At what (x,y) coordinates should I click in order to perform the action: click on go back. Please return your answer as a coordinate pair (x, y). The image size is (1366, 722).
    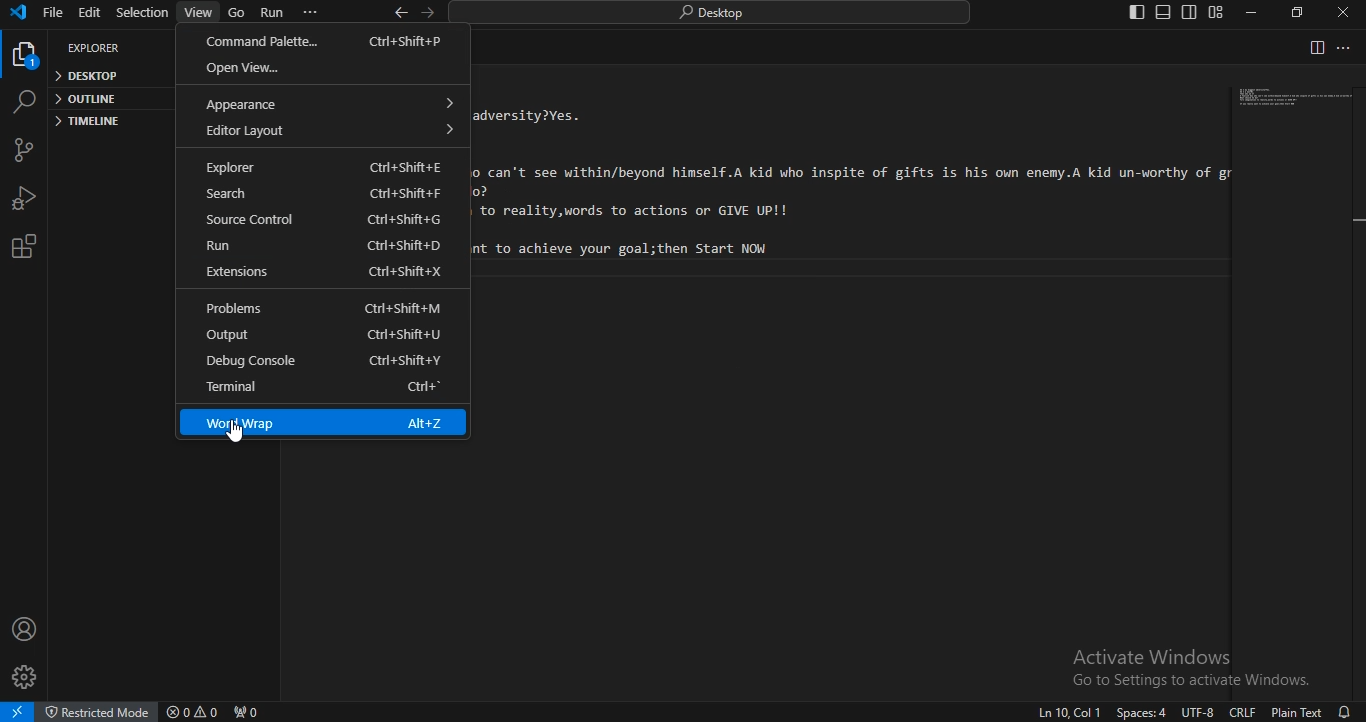
    Looking at the image, I should click on (401, 12).